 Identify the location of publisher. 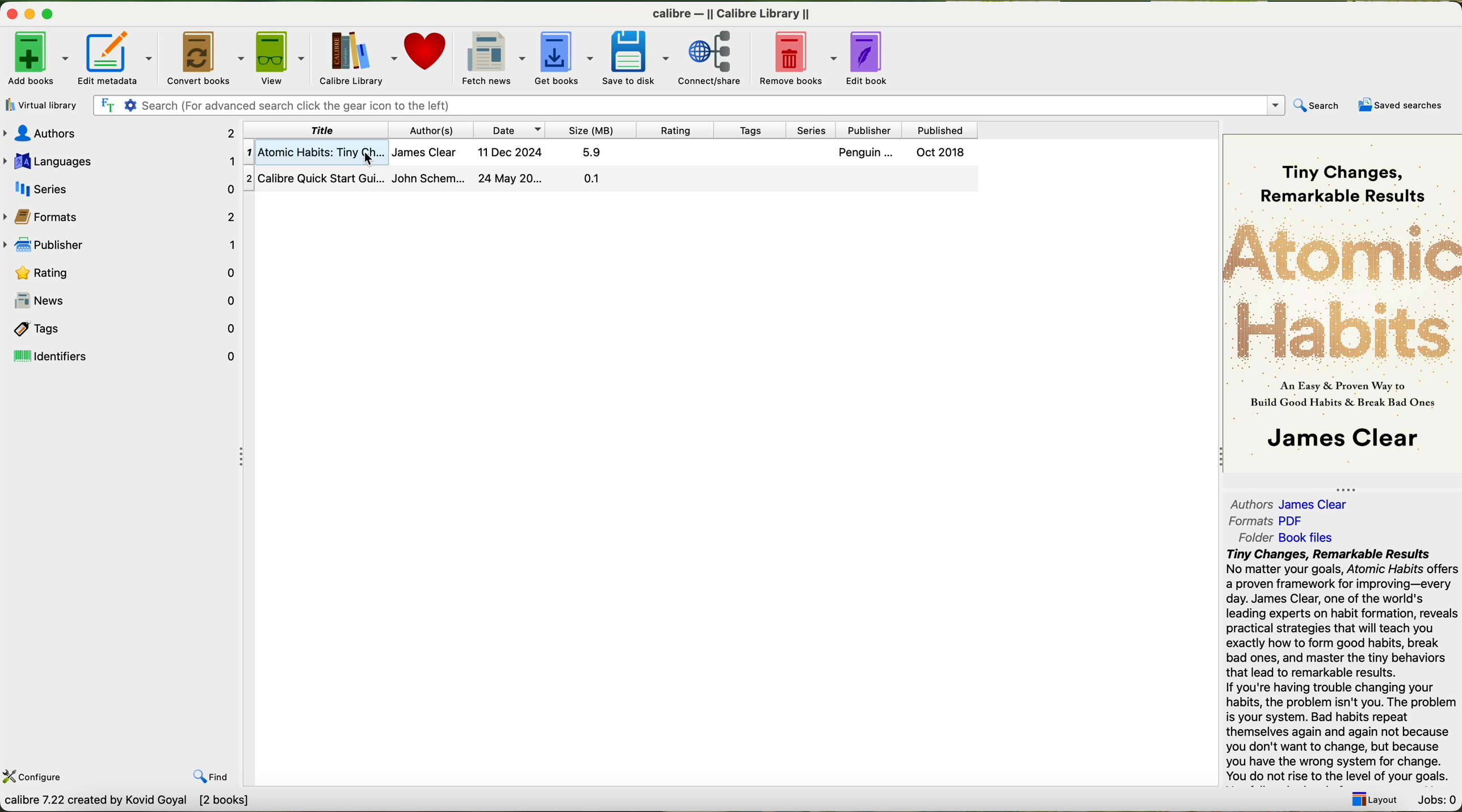
(123, 243).